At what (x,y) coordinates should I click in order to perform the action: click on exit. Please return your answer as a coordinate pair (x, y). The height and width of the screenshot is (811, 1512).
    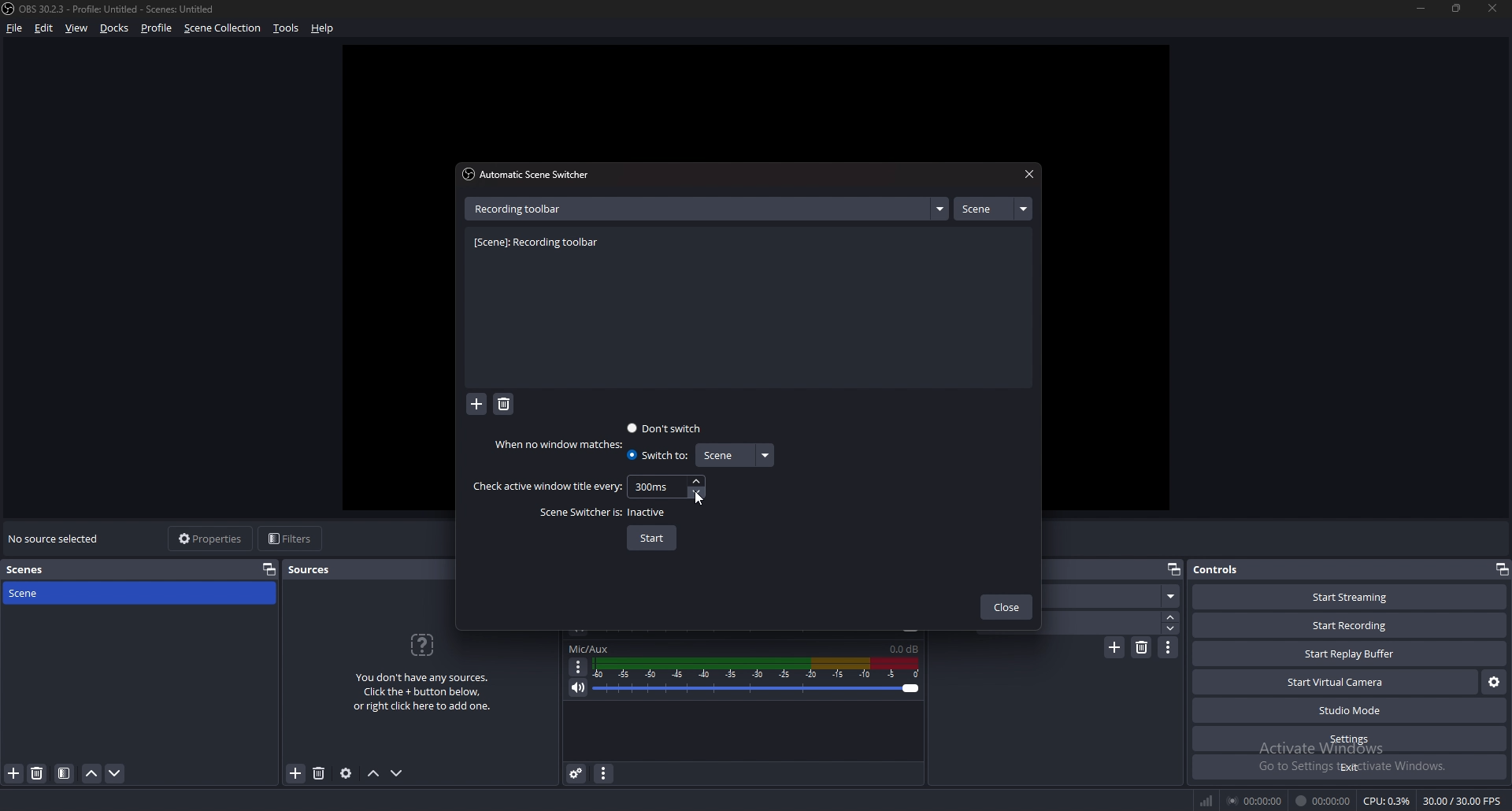
    Looking at the image, I should click on (1350, 767).